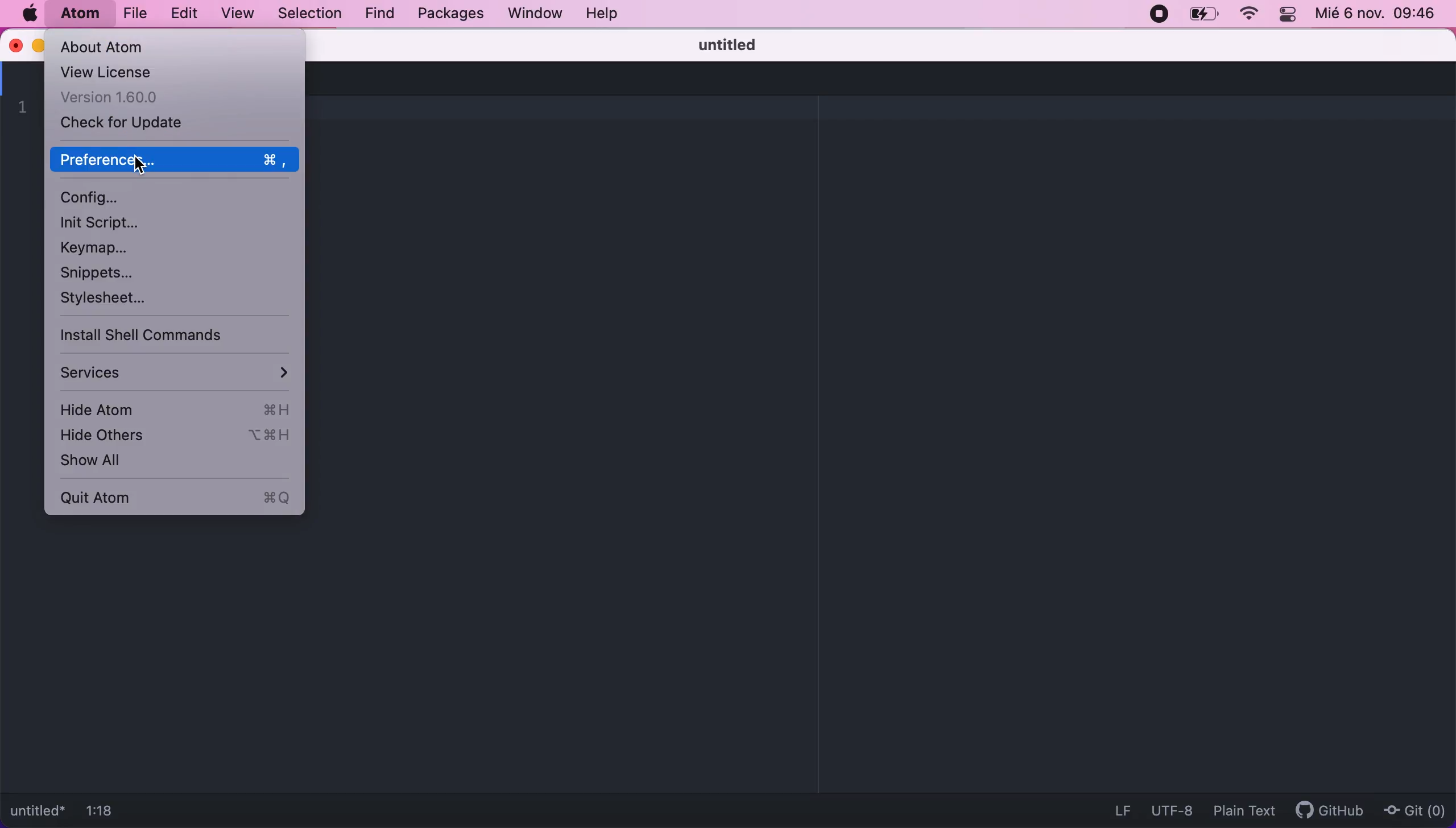 This screenshot has width=1456, height=828. Describe the element at coordinates (36, 811) in the screenshot. I see `untitled*` at that location.